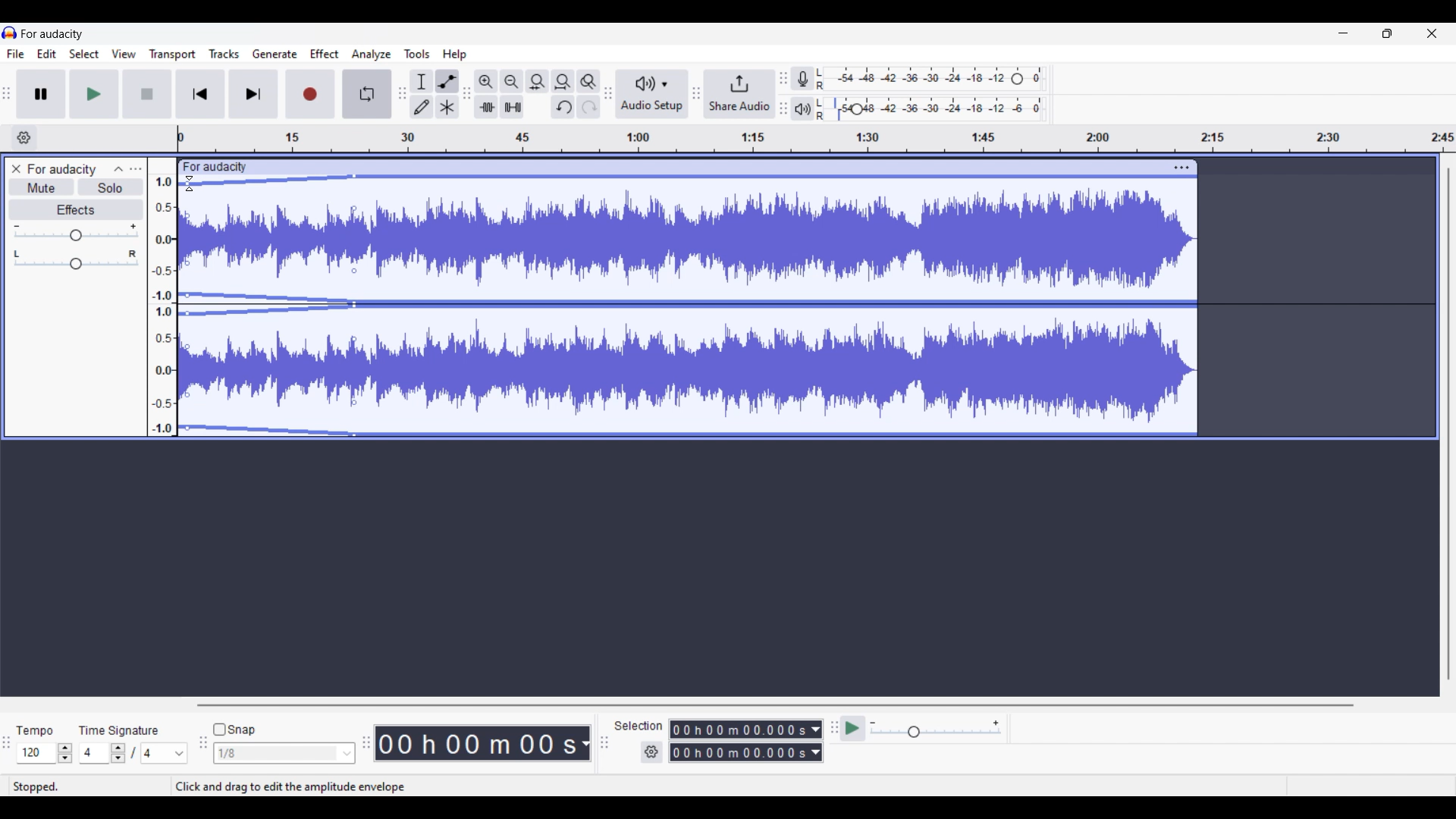 This screenshot has height=819, width=1456. What do you see at coordinates (254, 94) in the screenshot?
I see `Skip/Select to end` at bounding box center [254, 94].